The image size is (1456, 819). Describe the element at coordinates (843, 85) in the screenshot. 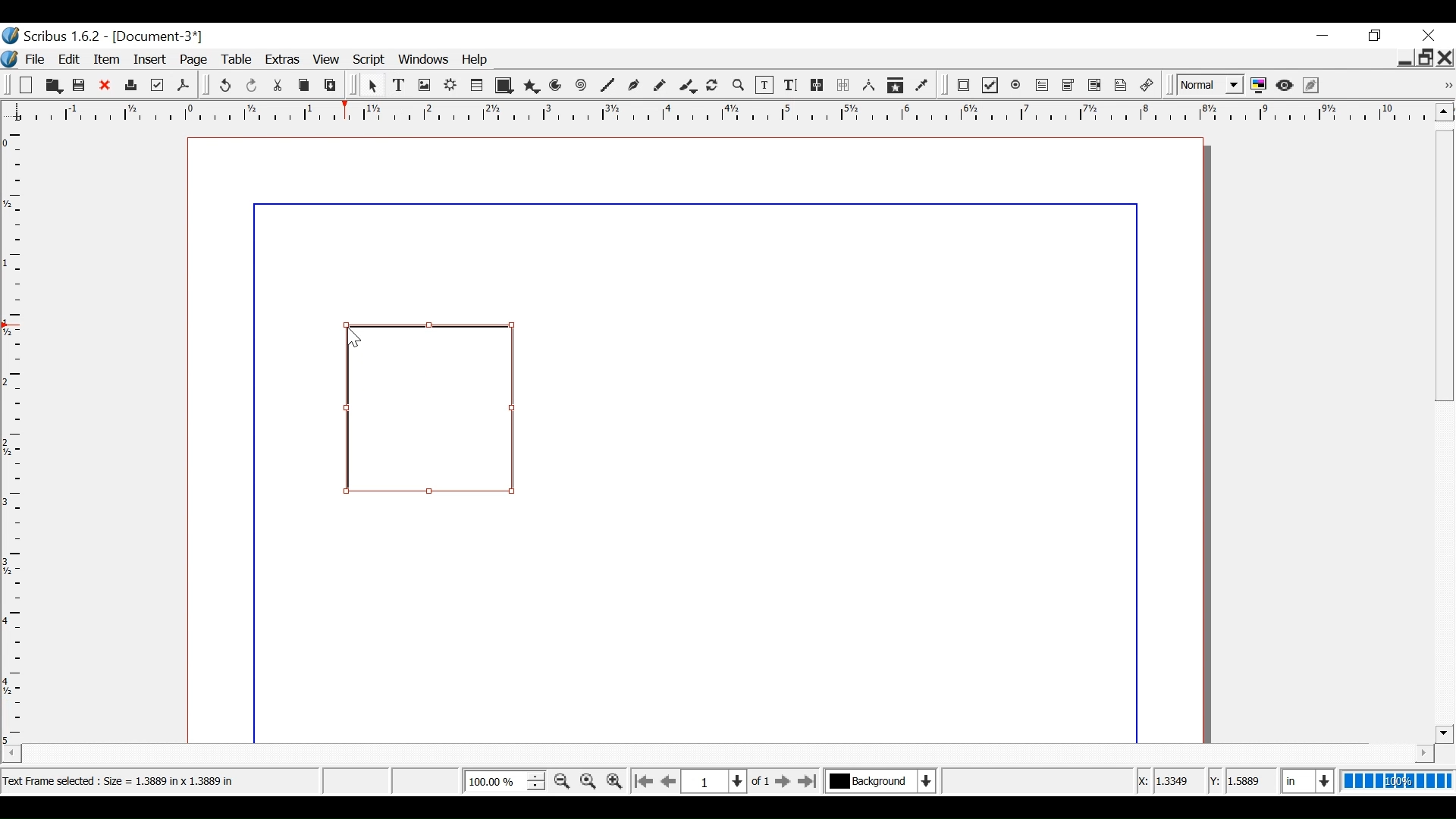

I see `Unlink text frames` at that location.